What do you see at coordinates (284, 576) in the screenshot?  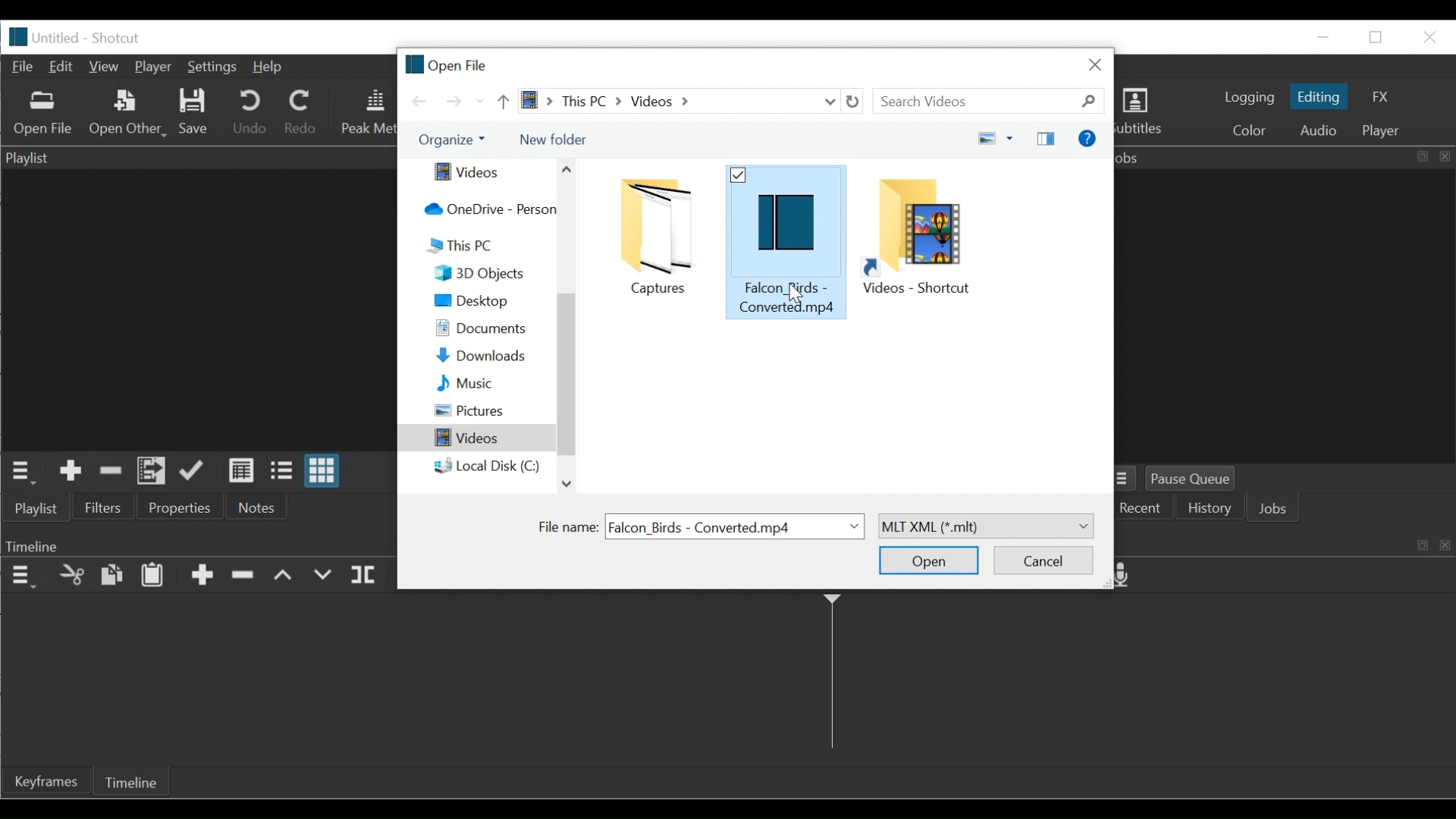 I see `lift` at bounding box center [284, 576].